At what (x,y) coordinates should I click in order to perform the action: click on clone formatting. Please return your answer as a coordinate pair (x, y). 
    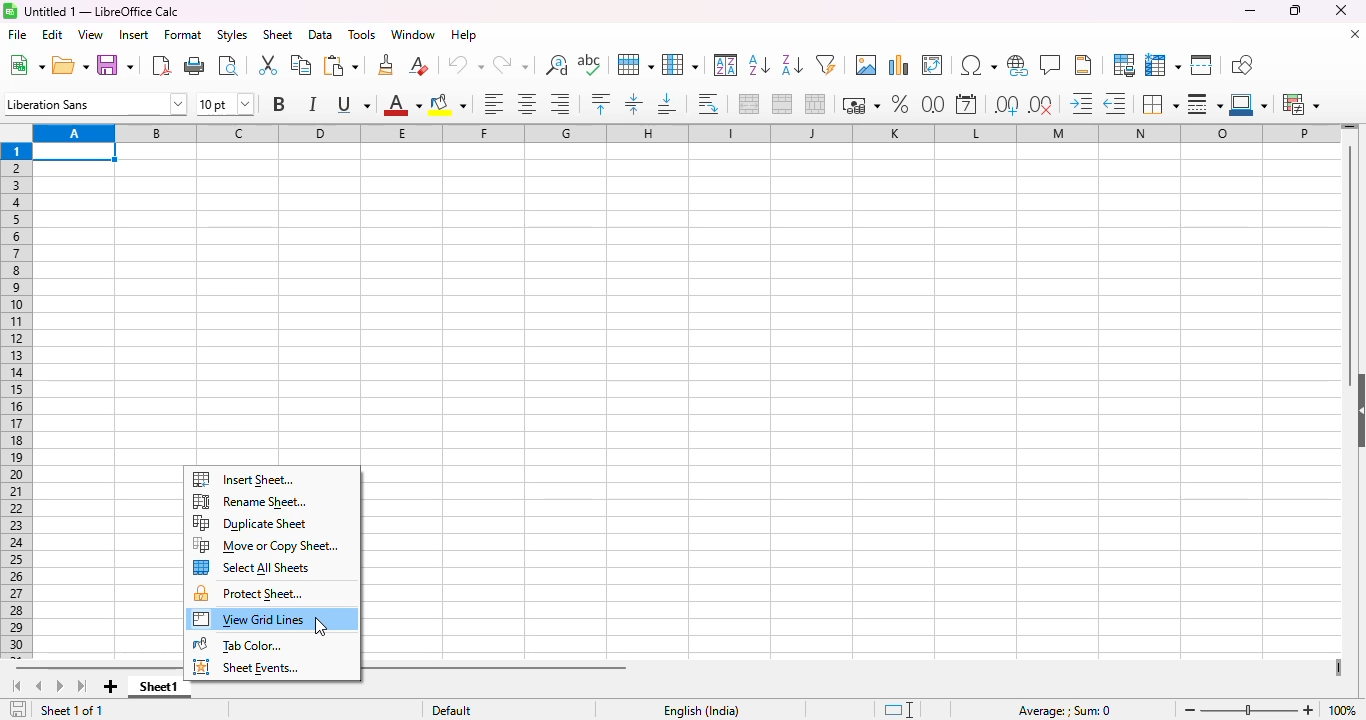
    Looking at the image, I should click on (385, 64).